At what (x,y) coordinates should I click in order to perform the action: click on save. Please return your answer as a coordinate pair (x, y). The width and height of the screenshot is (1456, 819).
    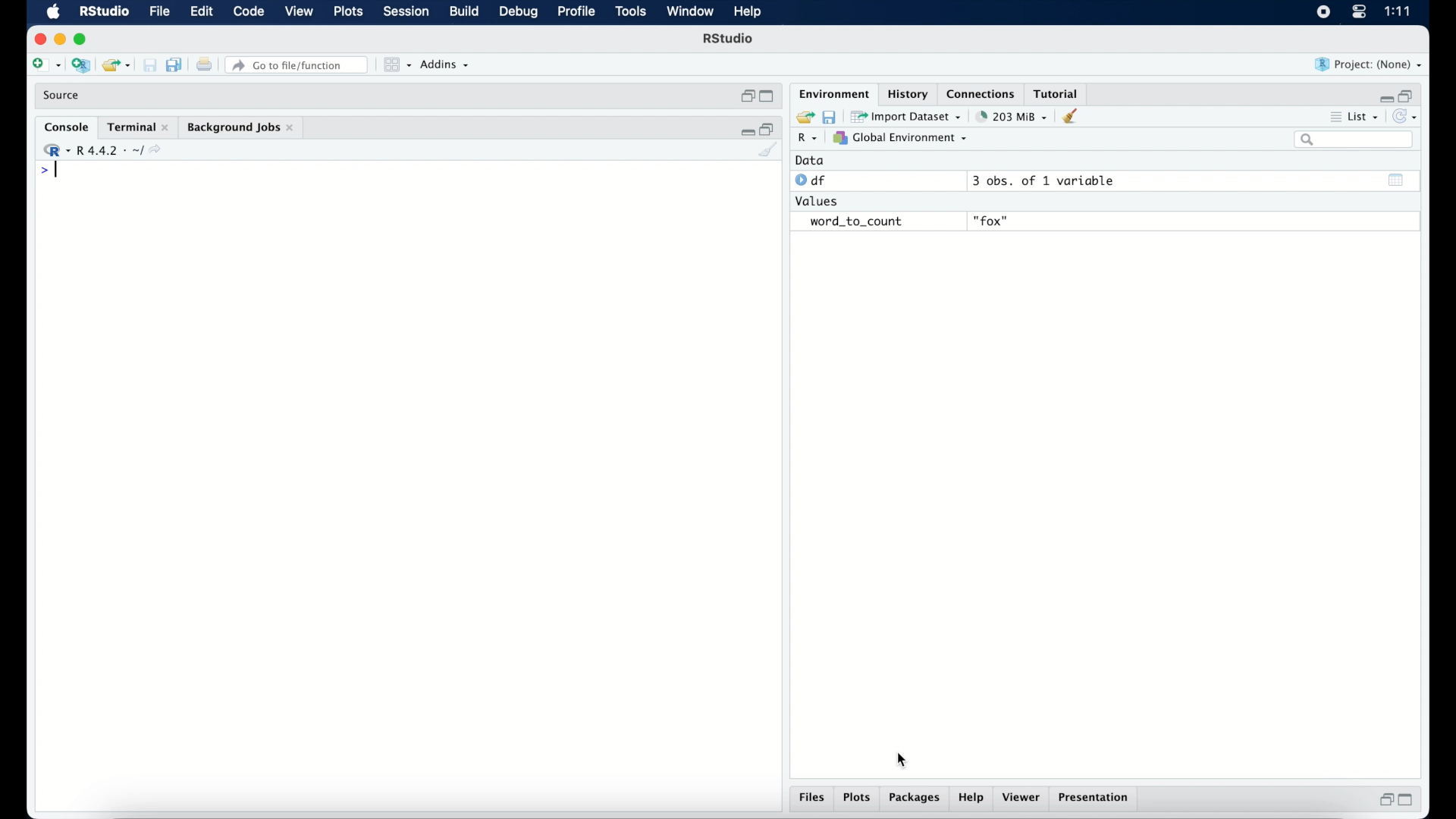
    Looking at the image, I should click on (831, 116).